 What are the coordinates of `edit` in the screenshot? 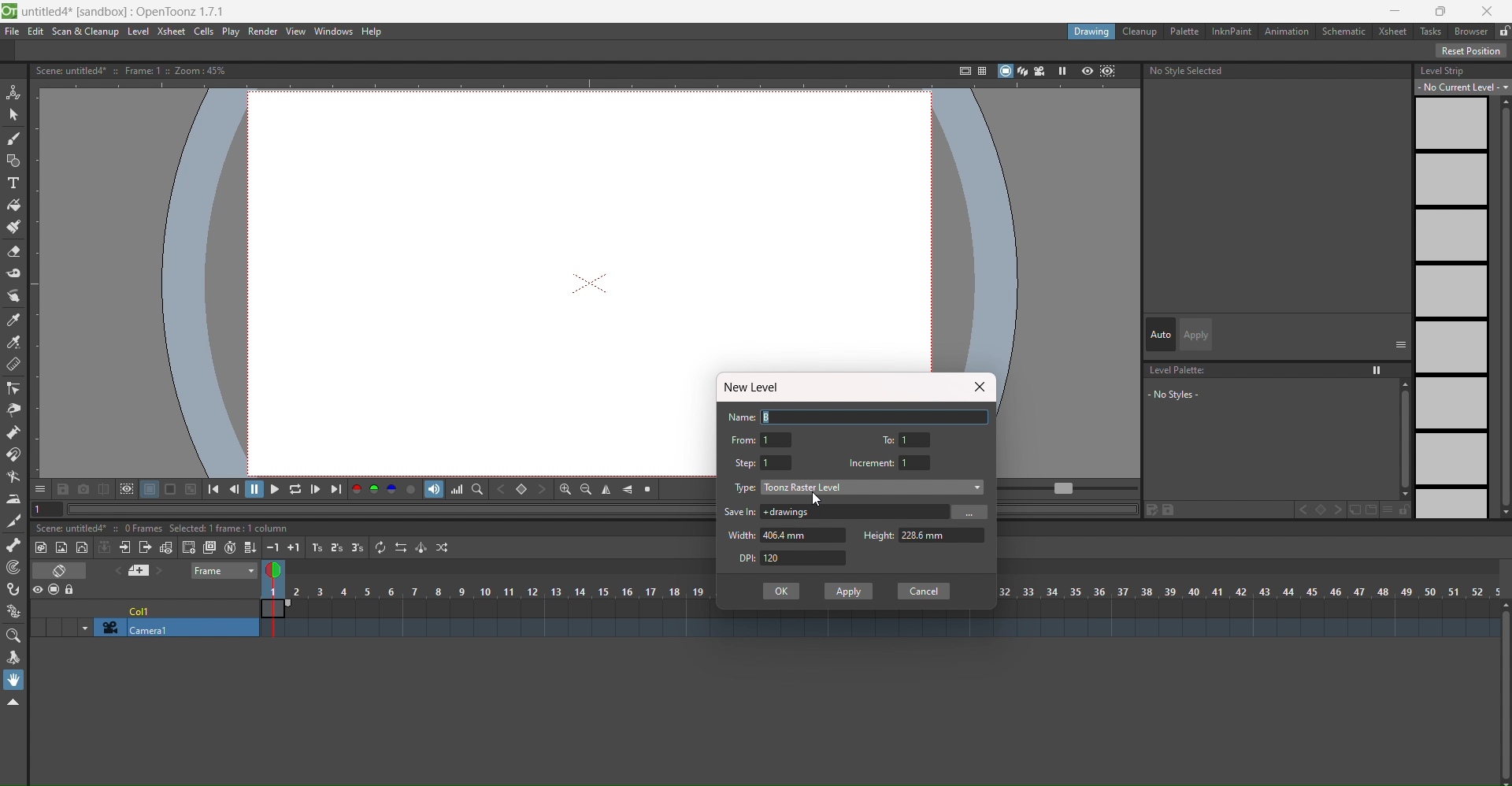 It's located at (1162, 510).